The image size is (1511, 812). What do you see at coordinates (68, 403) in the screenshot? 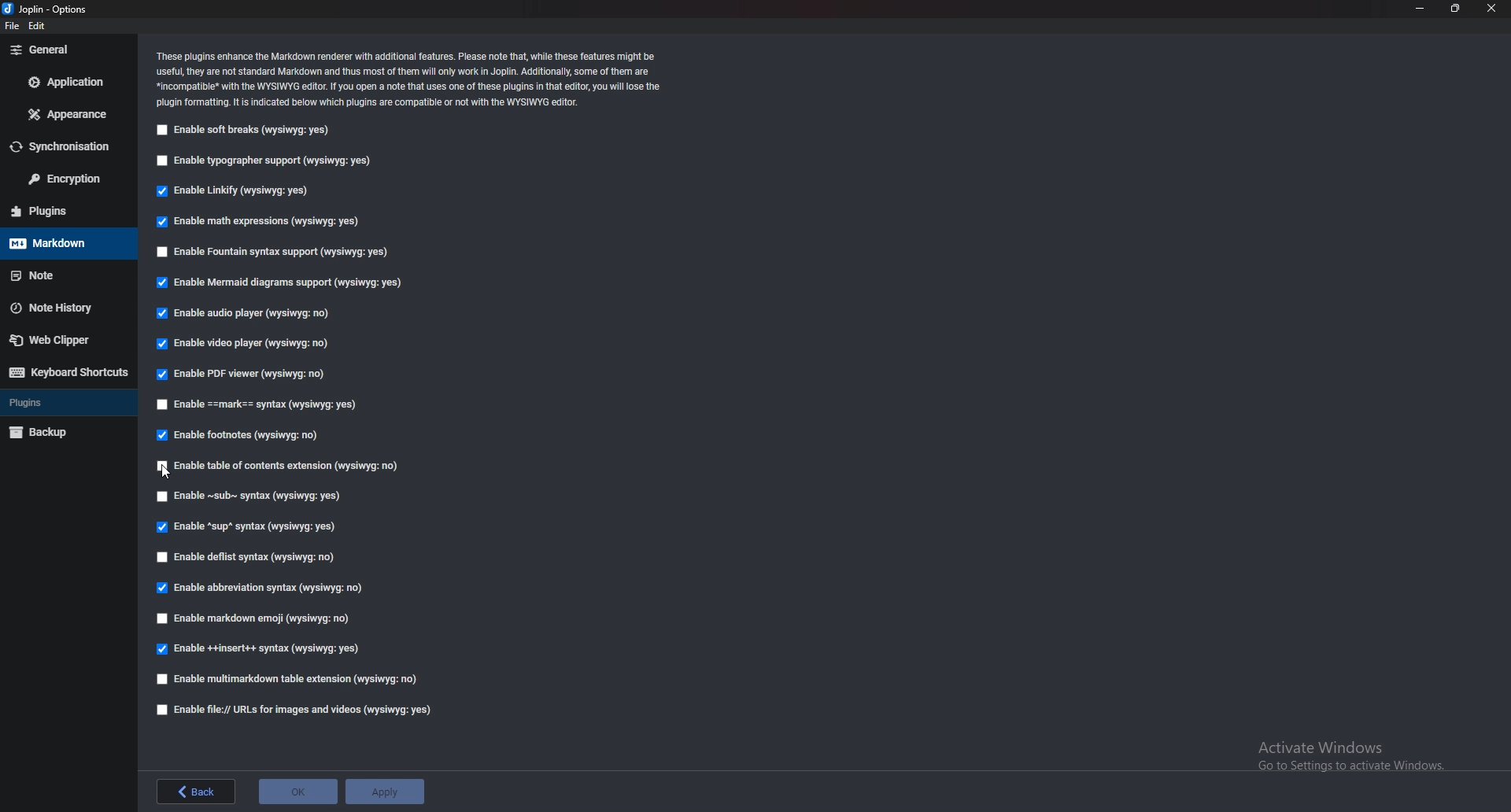
I see `plugins` at bounding box center [68, 403].